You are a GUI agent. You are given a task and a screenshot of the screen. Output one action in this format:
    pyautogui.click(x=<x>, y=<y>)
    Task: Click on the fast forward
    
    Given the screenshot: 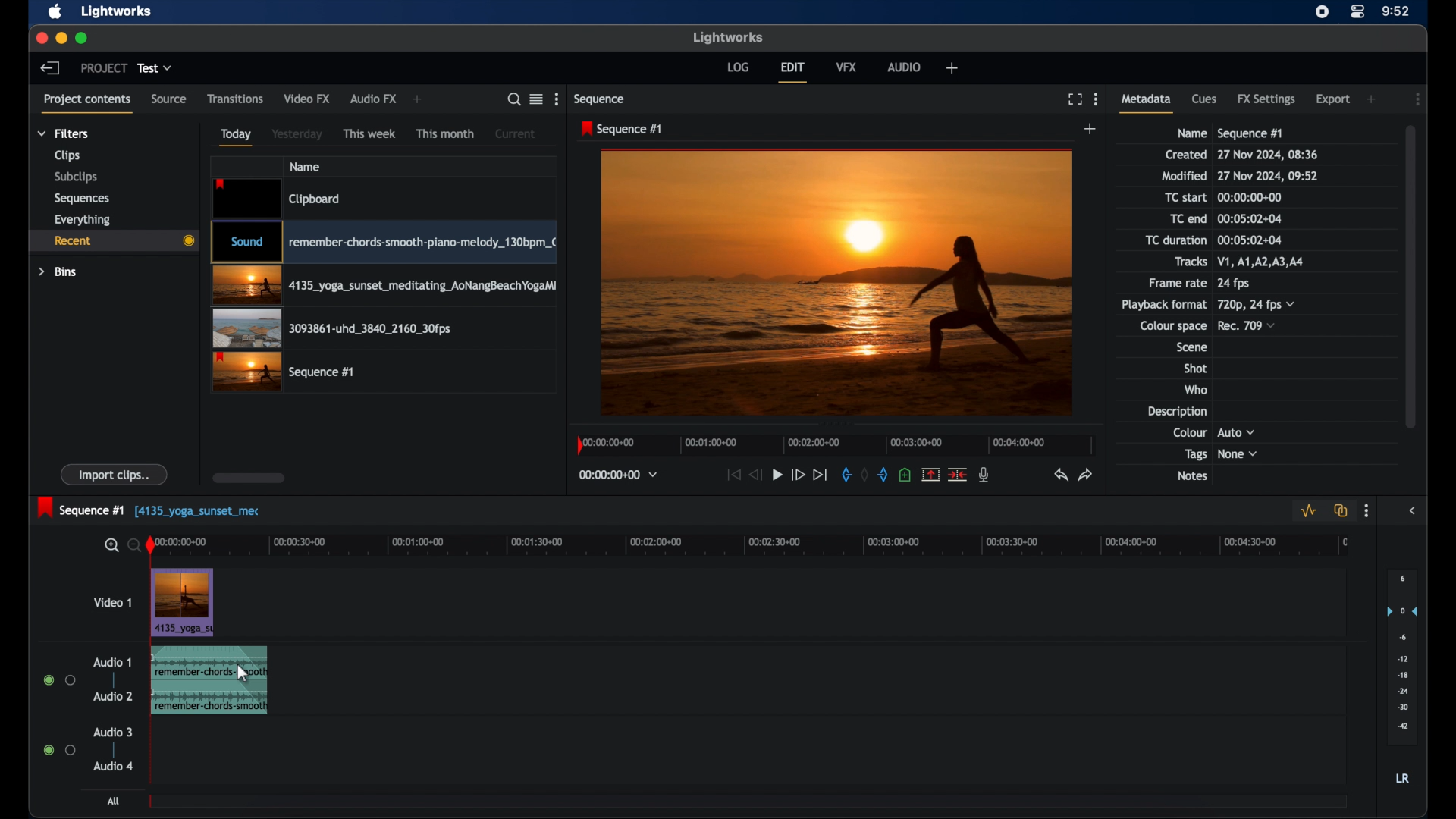 What is the action you would take?
    pyautogui.click(x=798, y=475)
    